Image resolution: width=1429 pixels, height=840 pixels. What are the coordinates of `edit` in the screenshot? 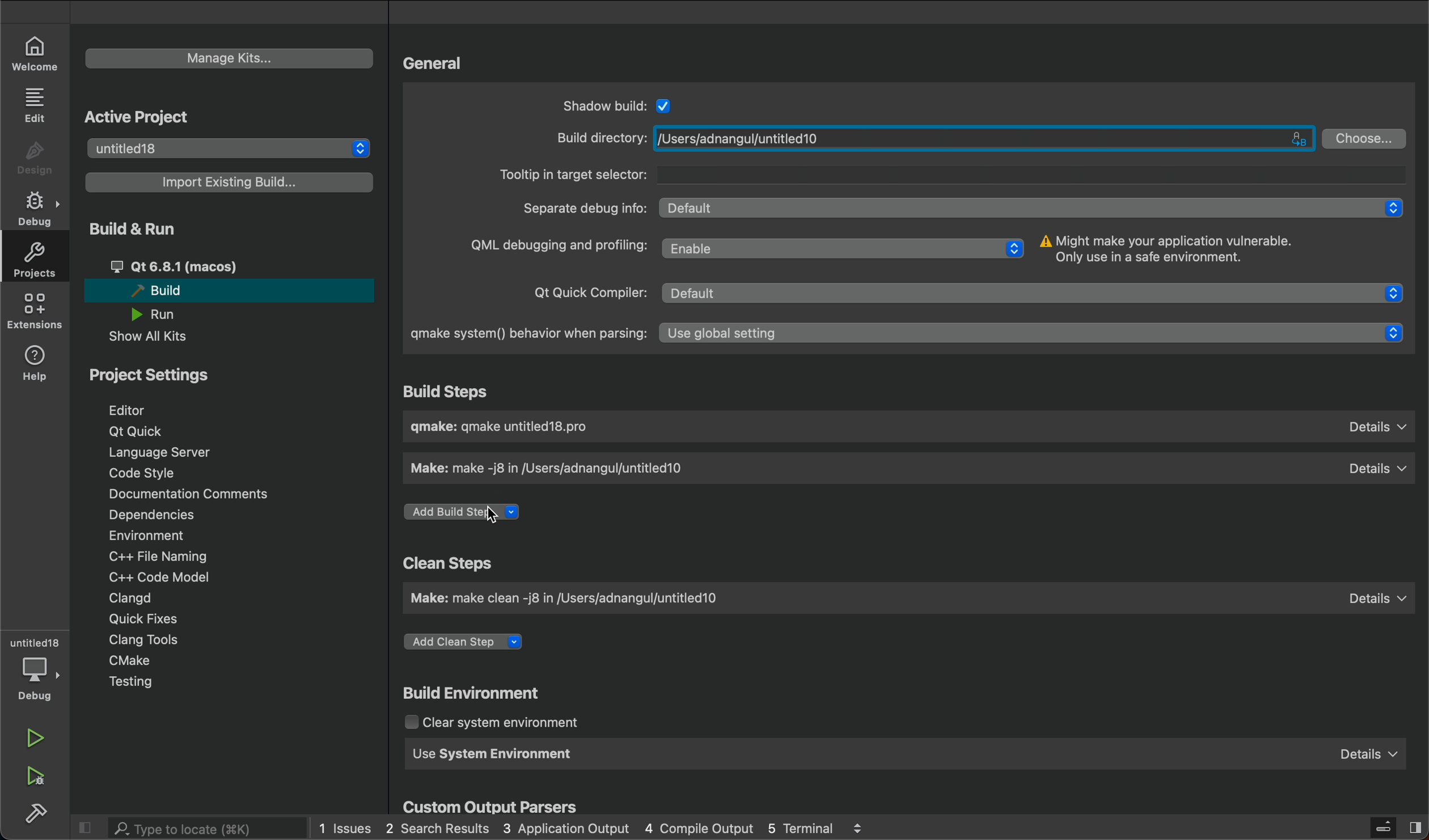 It's located at (34, 105).